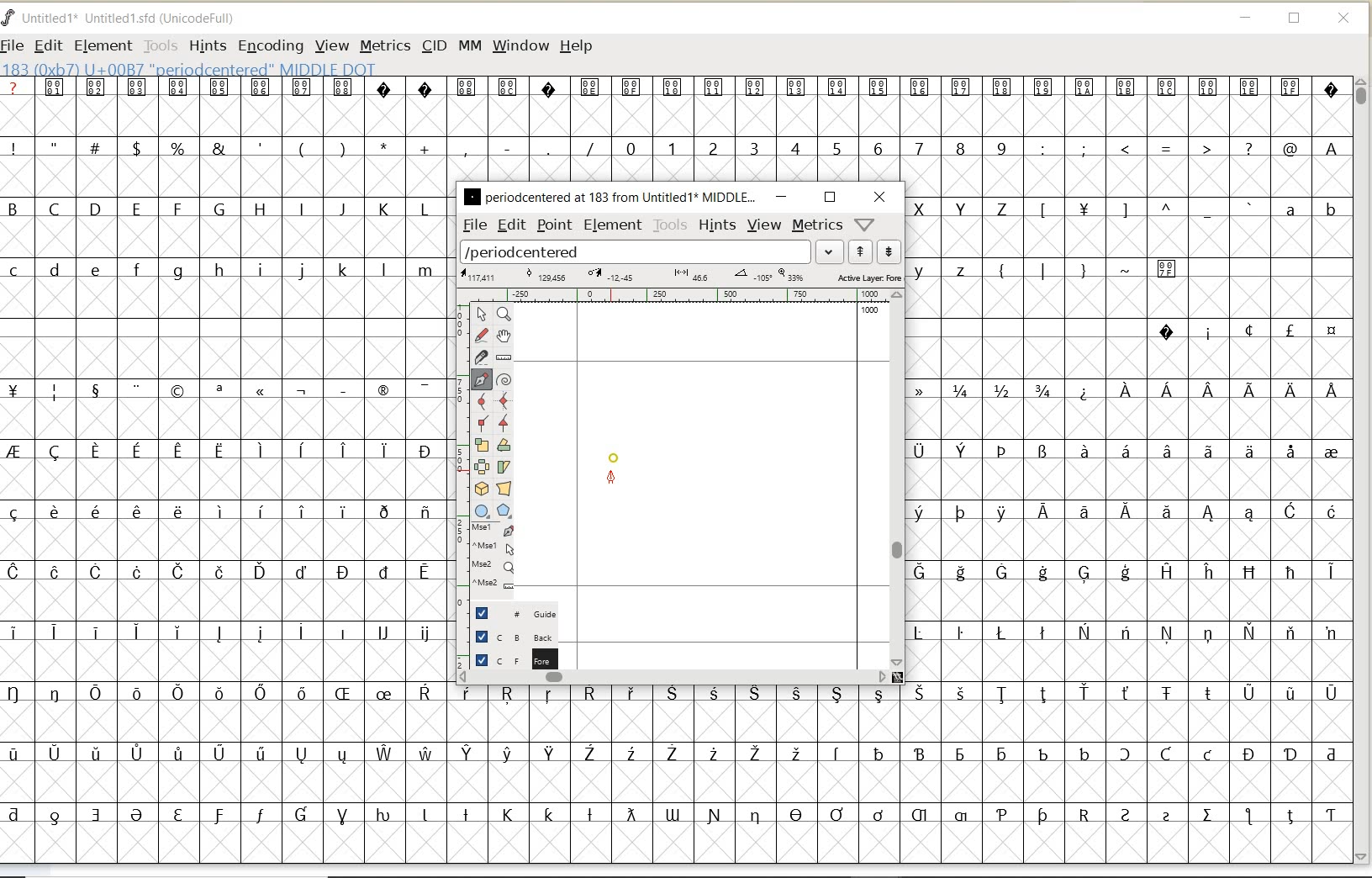  I want to click on help/window, so click(863, 225).